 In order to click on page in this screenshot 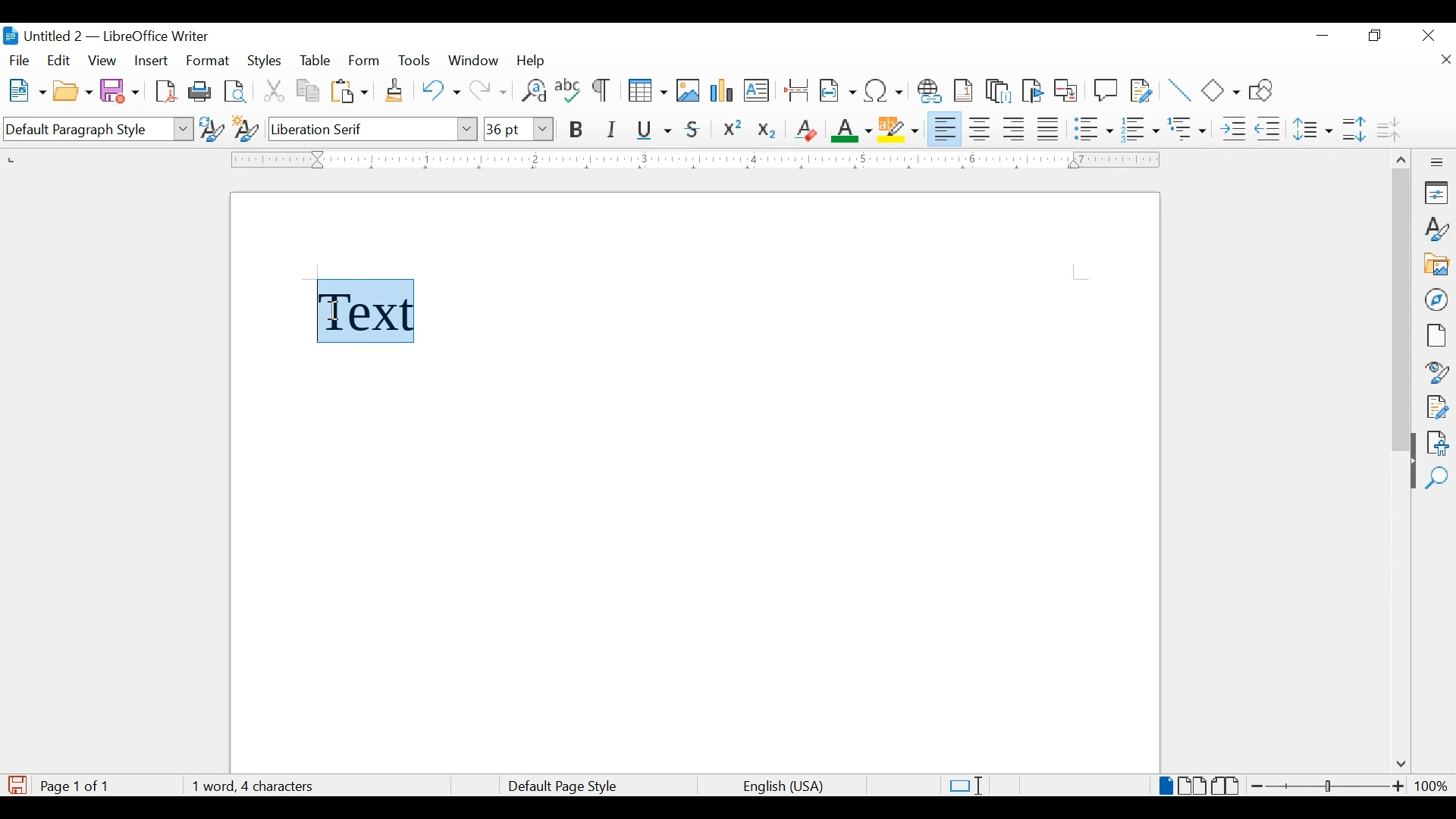, I will do `click(1436, 335)`.